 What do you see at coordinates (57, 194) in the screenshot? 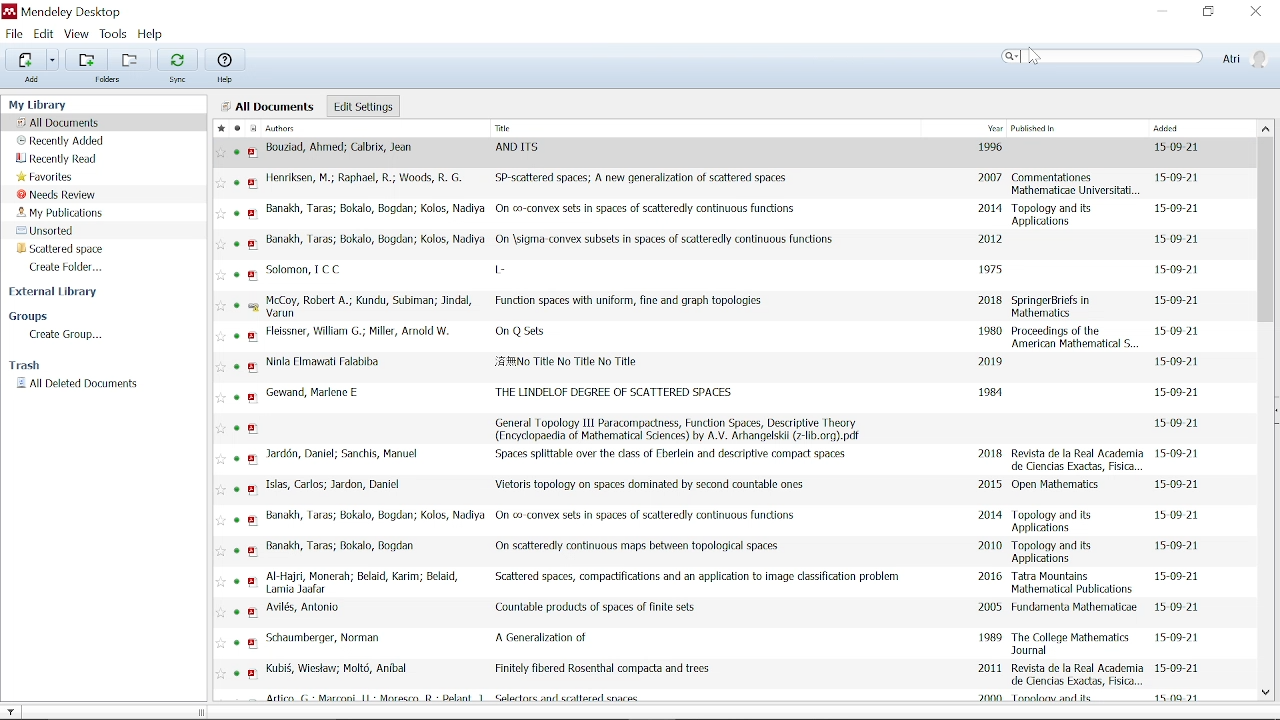
I see `Needs review` at bounding box center [57, 194].